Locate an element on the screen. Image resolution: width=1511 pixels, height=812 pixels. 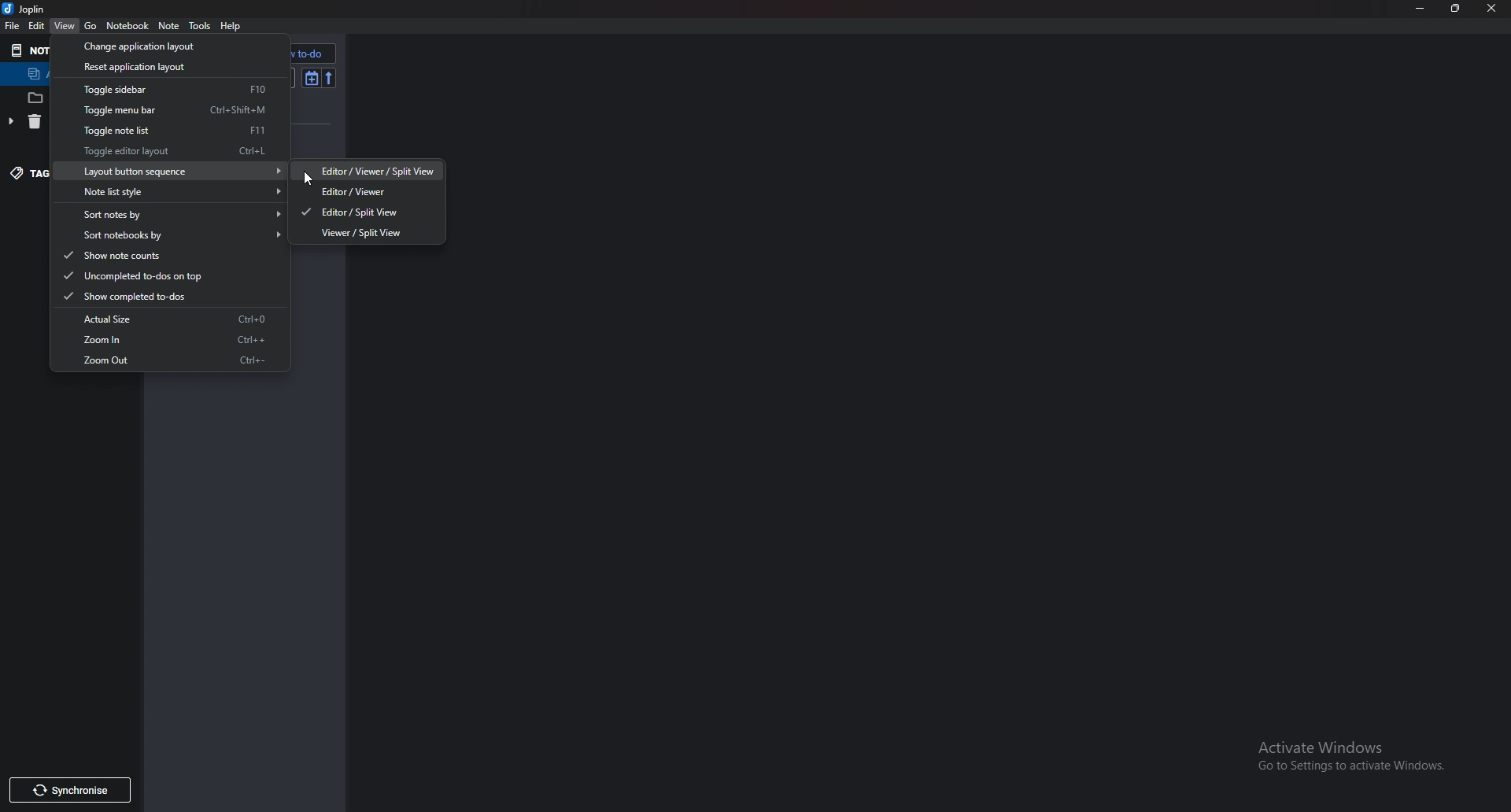
Actual size is located at coordinates (165, 319).